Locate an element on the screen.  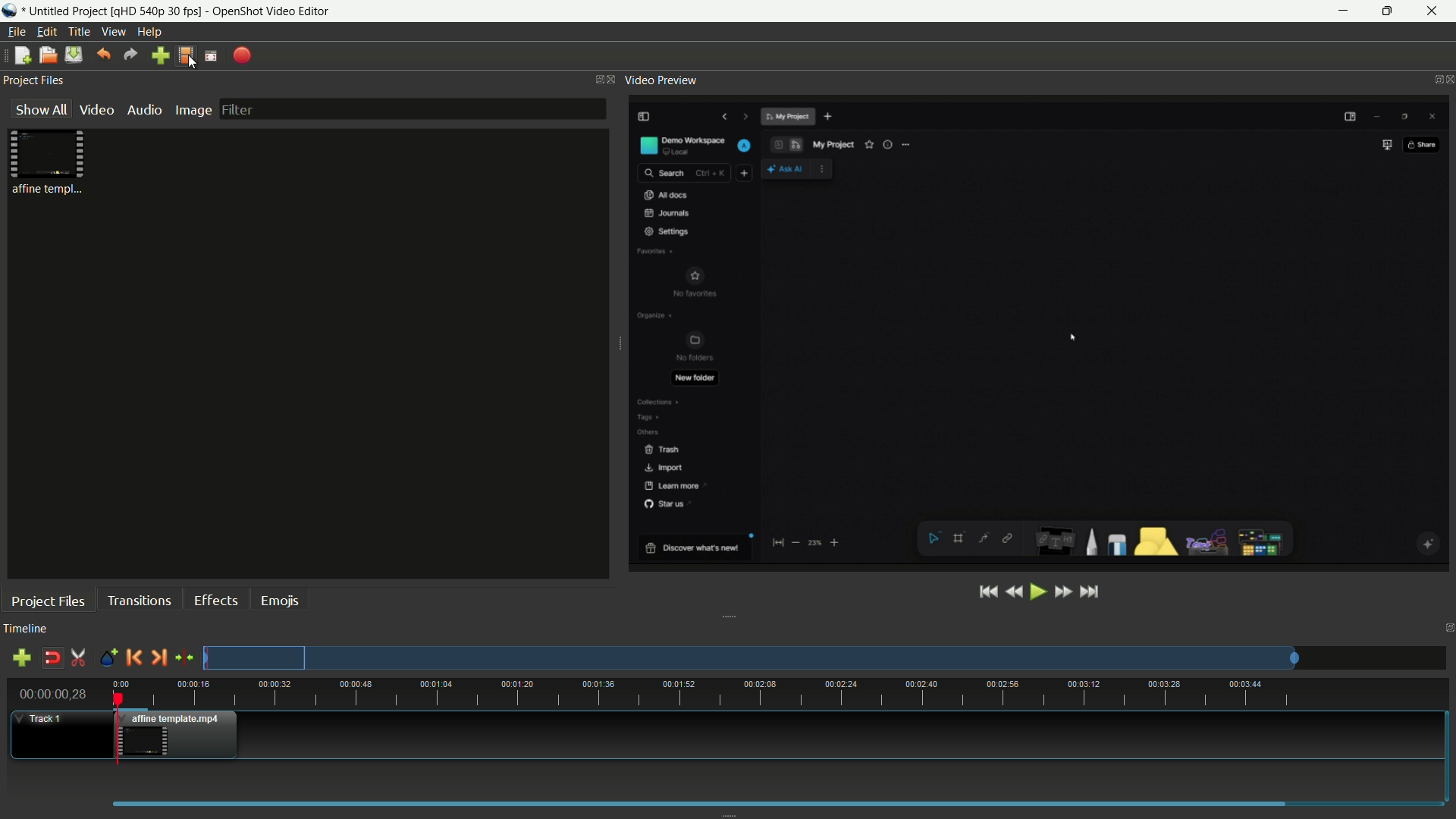
title menu is located at coordinates (80, 32).